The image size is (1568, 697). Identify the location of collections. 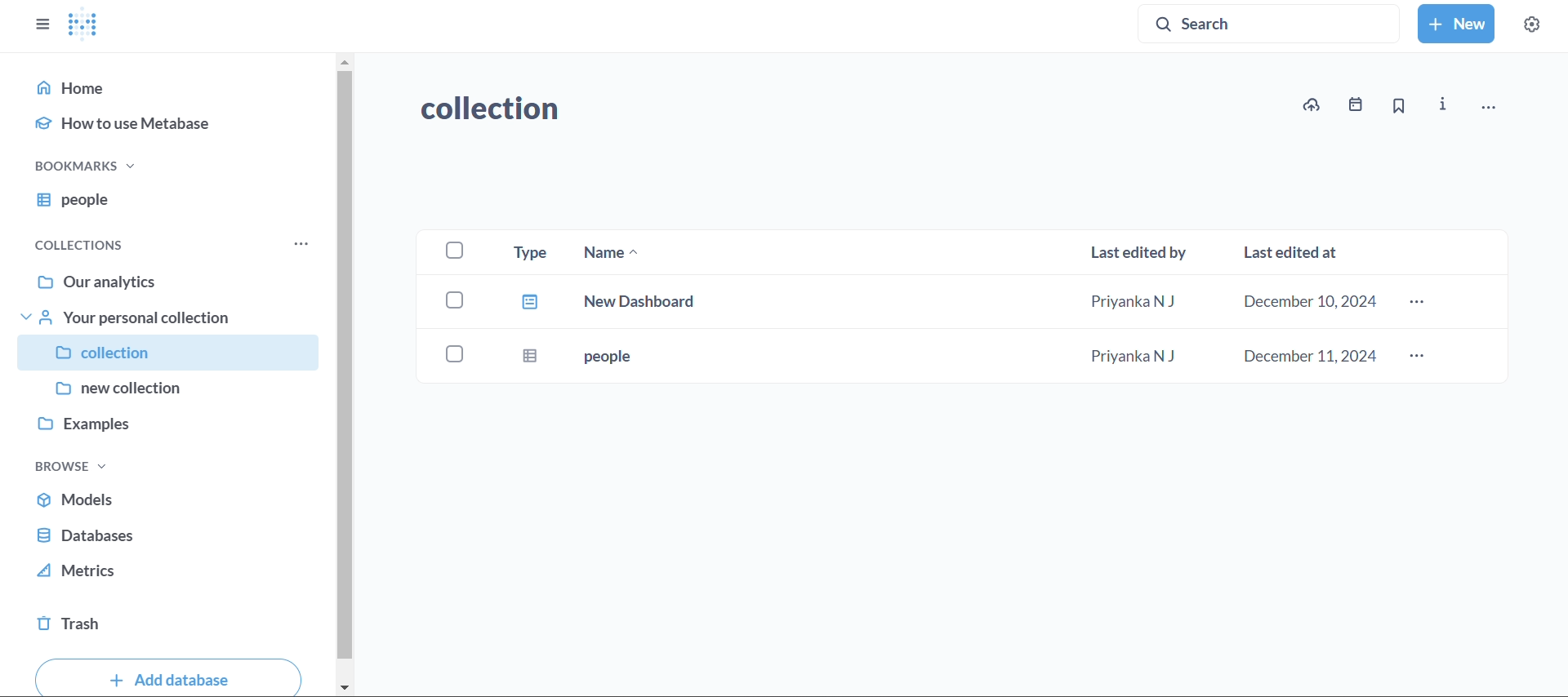
(163, 244).